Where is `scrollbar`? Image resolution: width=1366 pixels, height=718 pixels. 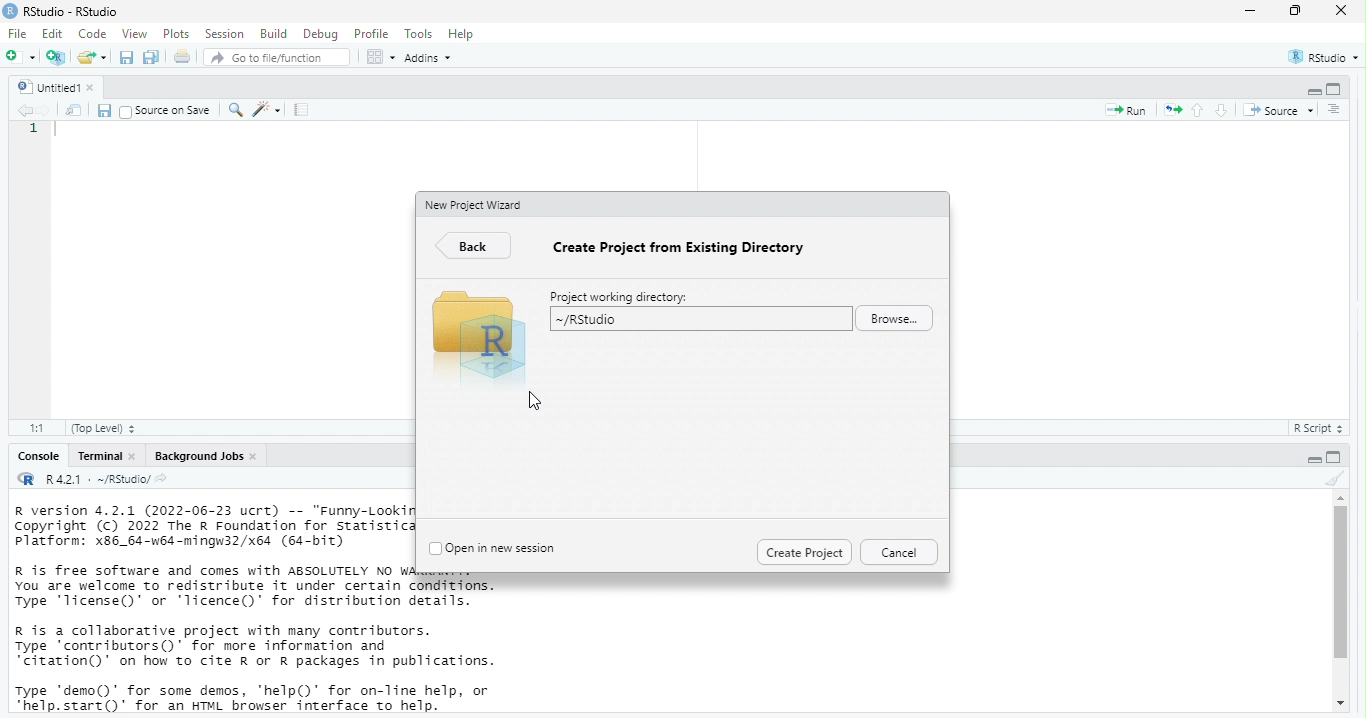 scrollbar is located at coordinates (1342, 598).